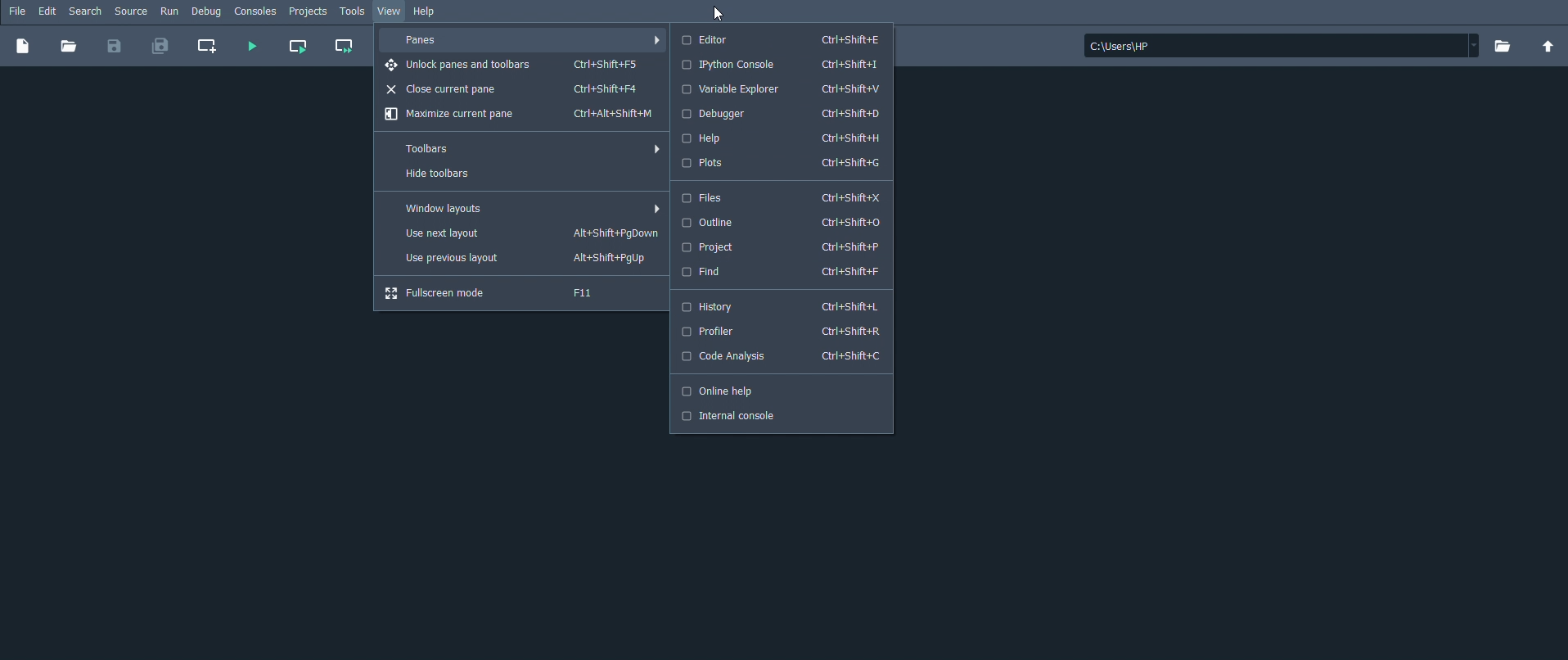 The width and height of the screenshot is (1568, 660). I want to click on View, so click(389, 11).